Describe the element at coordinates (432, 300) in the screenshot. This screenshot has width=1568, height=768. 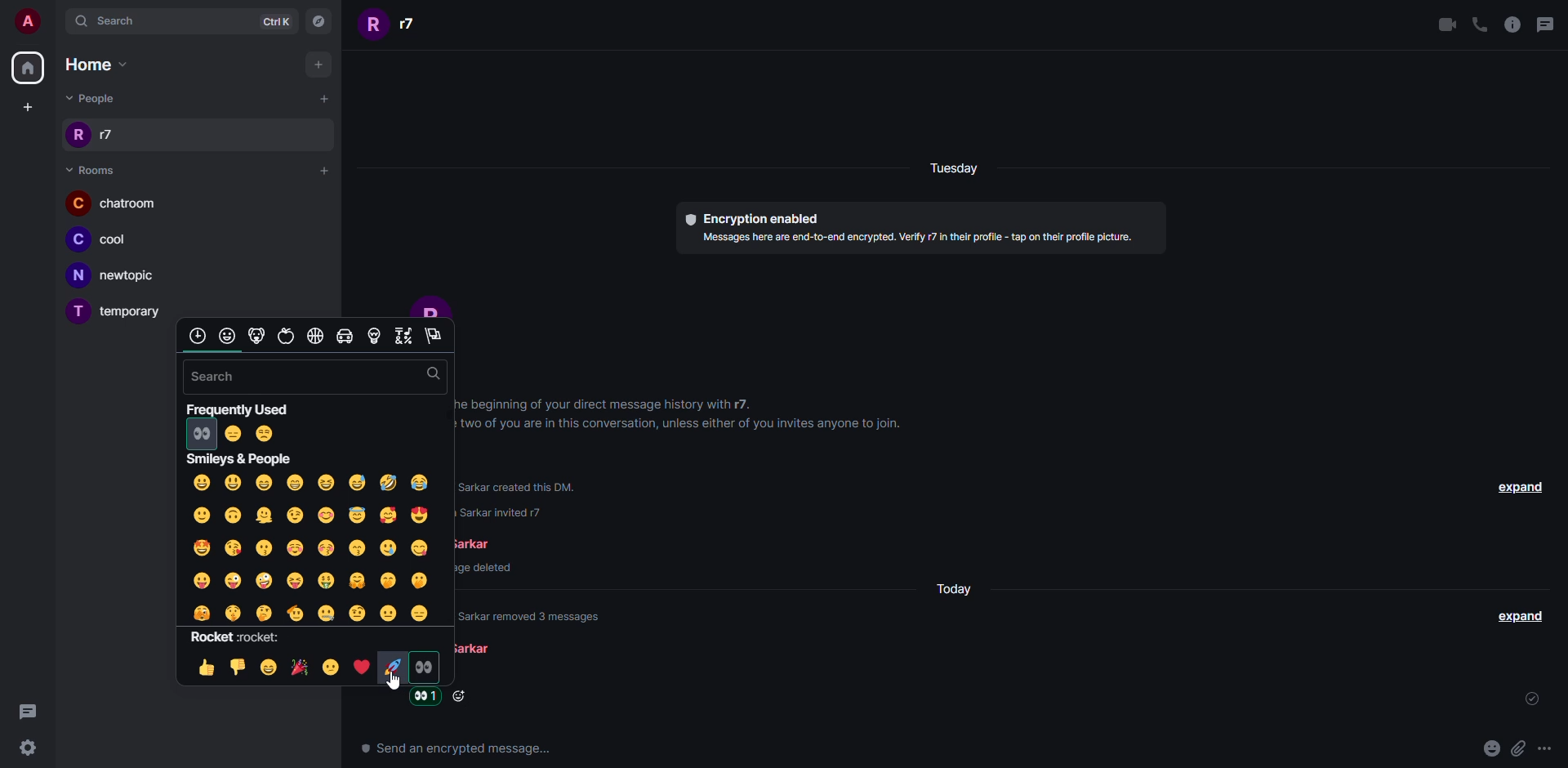
I see `profile` at that location.